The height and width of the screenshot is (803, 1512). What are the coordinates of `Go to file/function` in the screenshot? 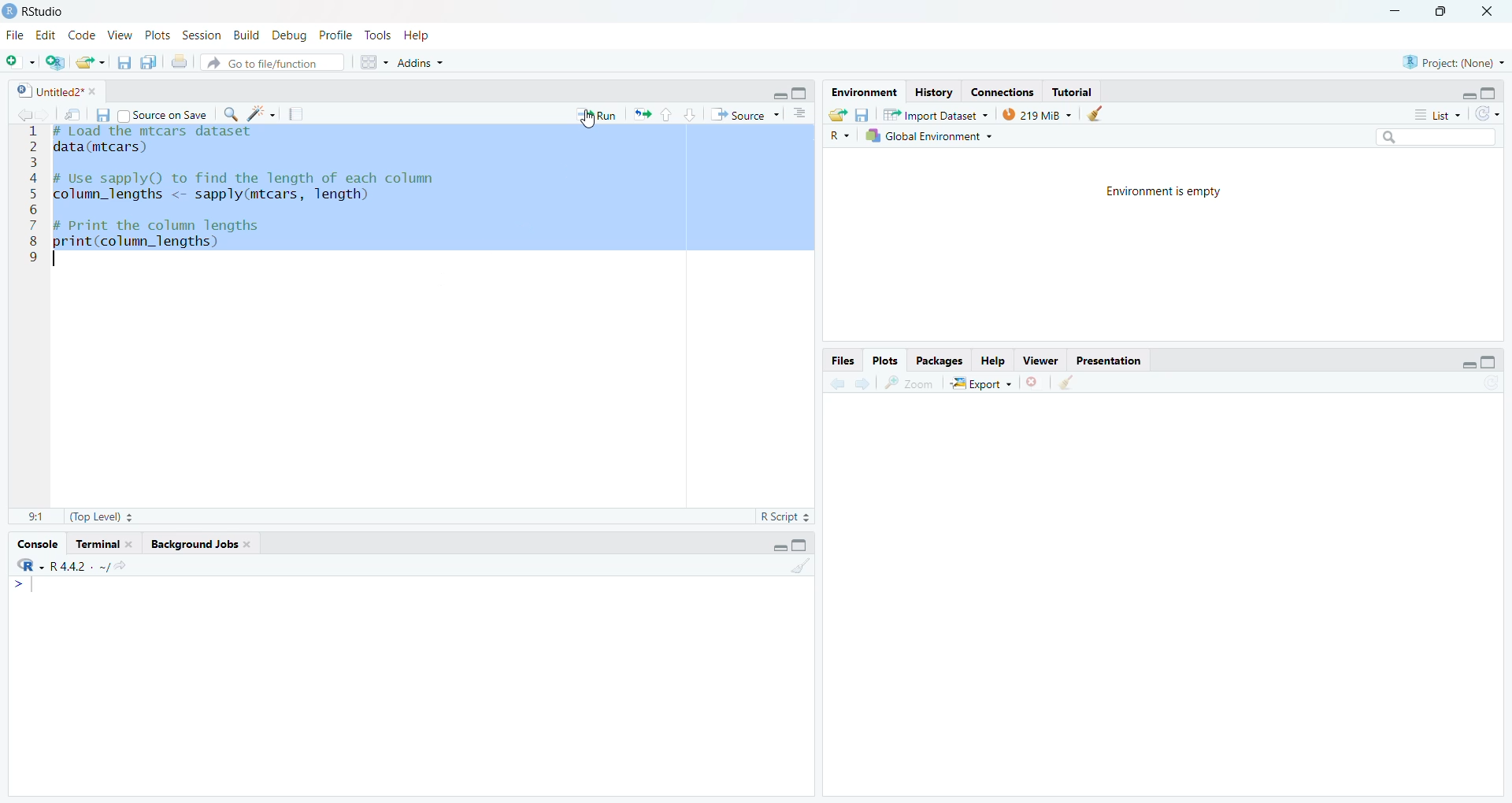 It's located at (272, 62).